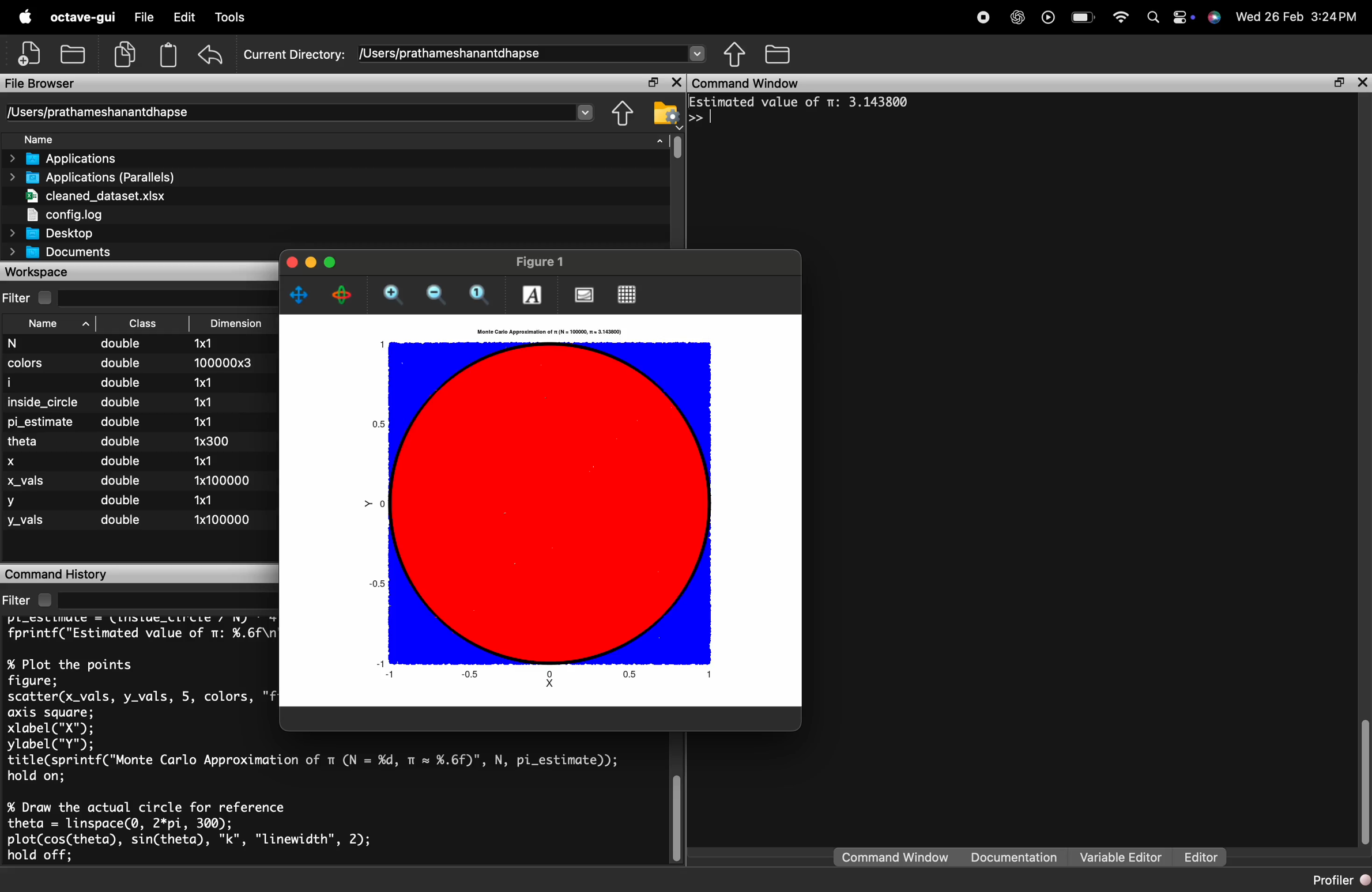 This screenshot has height=892, width=1372. Describe the element at coordinates (28, 441) in the screenshot. I see `theta` at that location.